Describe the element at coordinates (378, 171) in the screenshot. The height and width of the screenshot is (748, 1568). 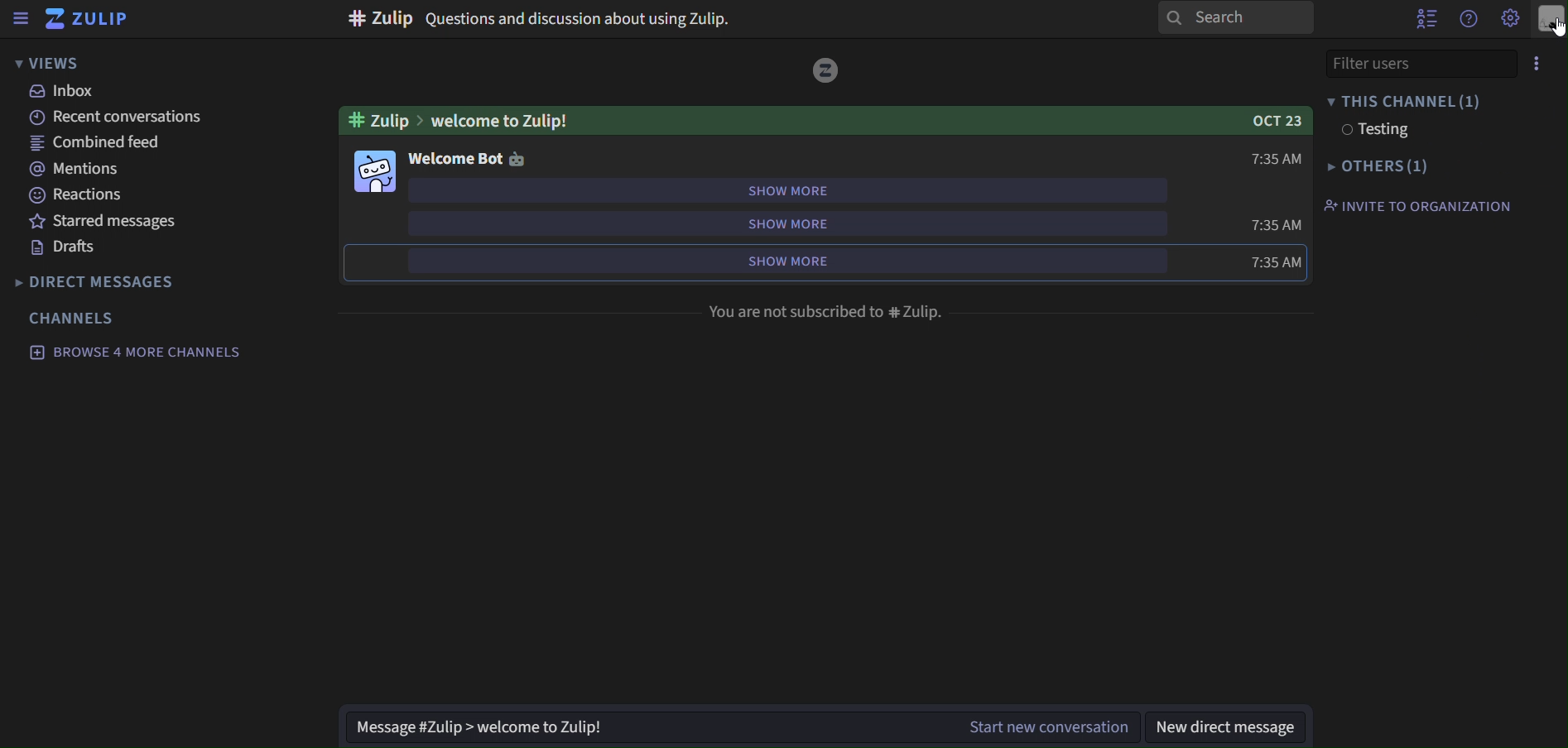
I see `image` at that location.